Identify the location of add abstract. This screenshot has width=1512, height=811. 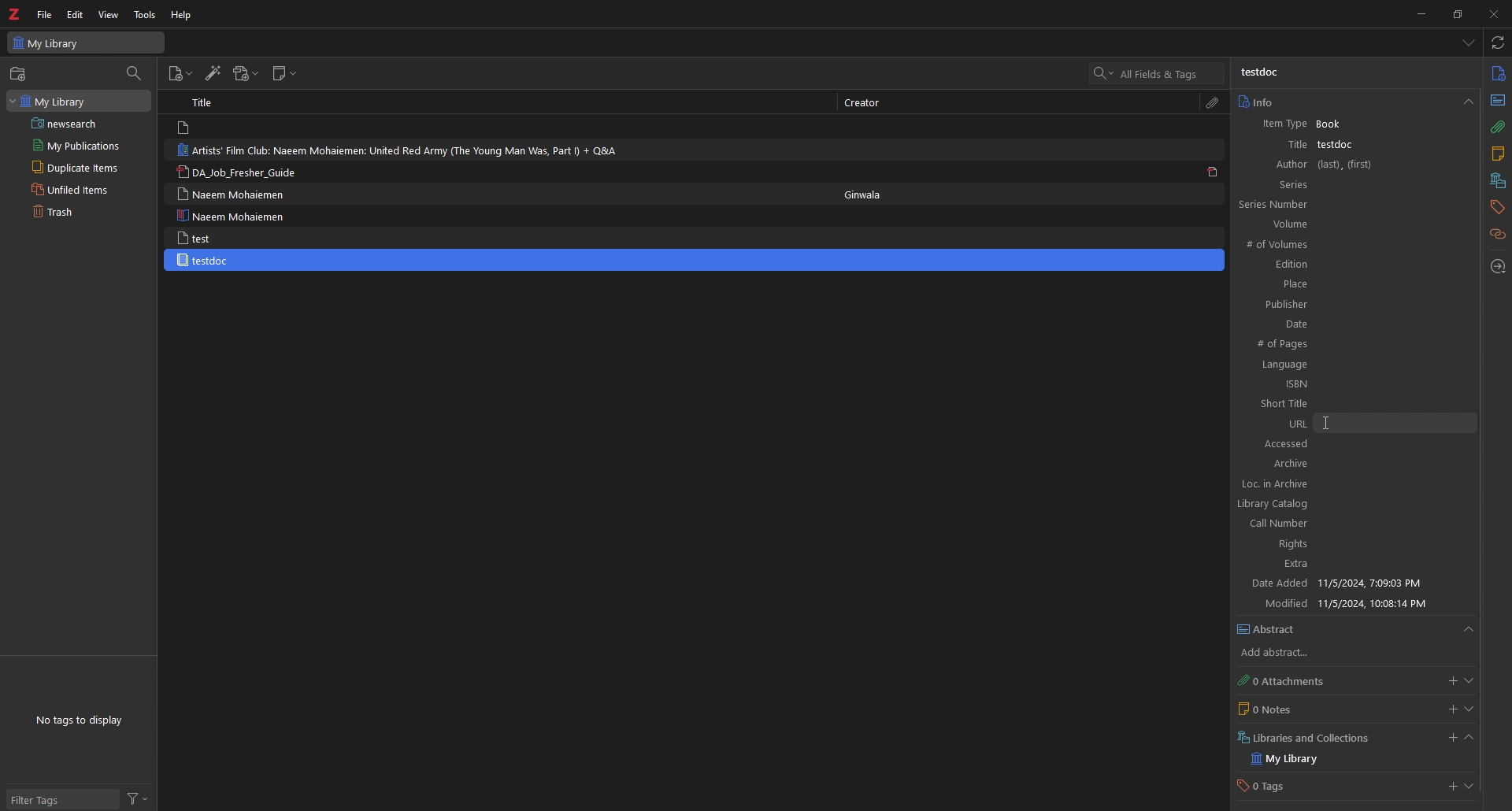
(1287, 654).